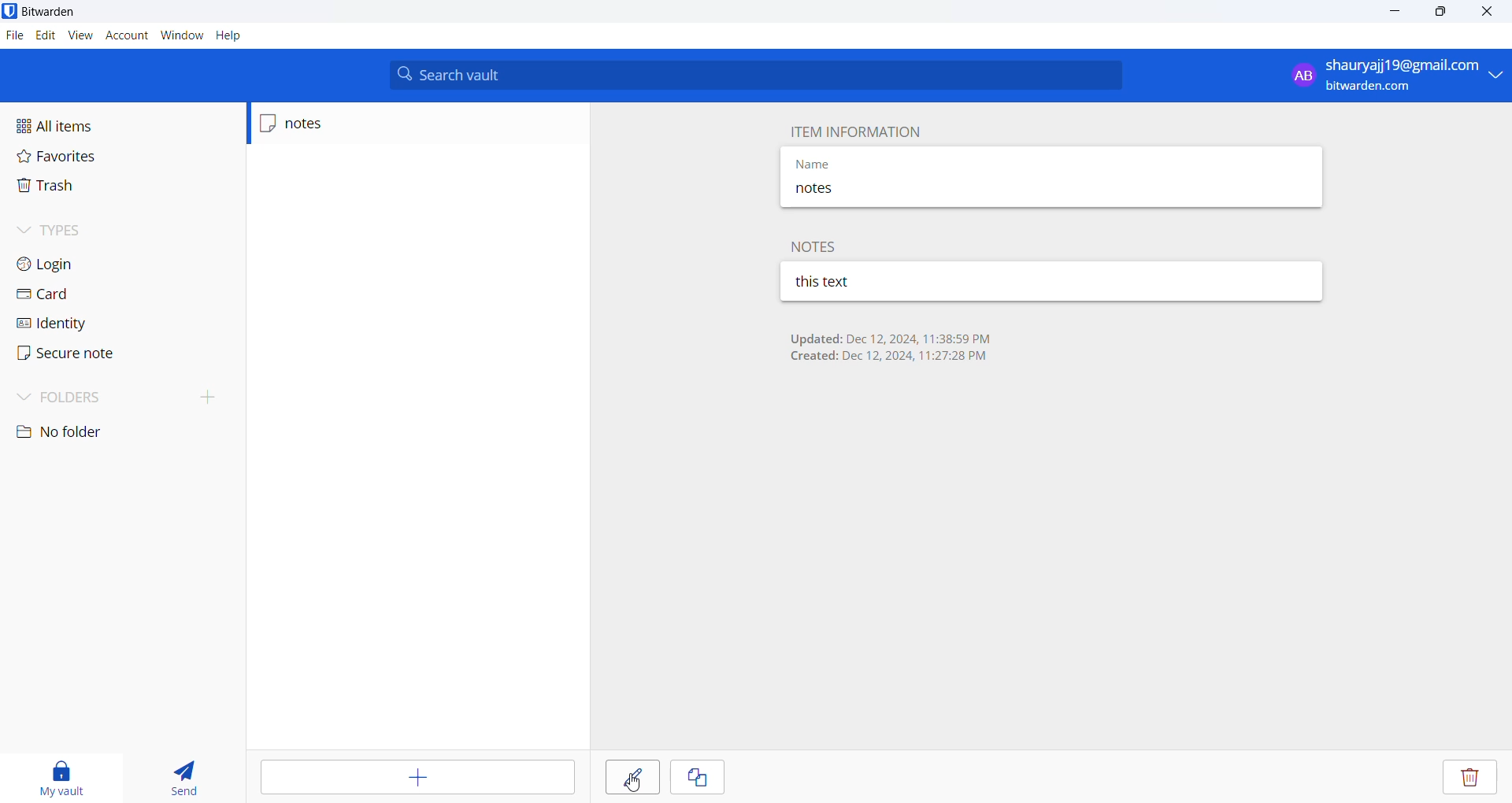 The height and width of the screenshot is (803, 1512). I want to click on types, so click(72, 230).